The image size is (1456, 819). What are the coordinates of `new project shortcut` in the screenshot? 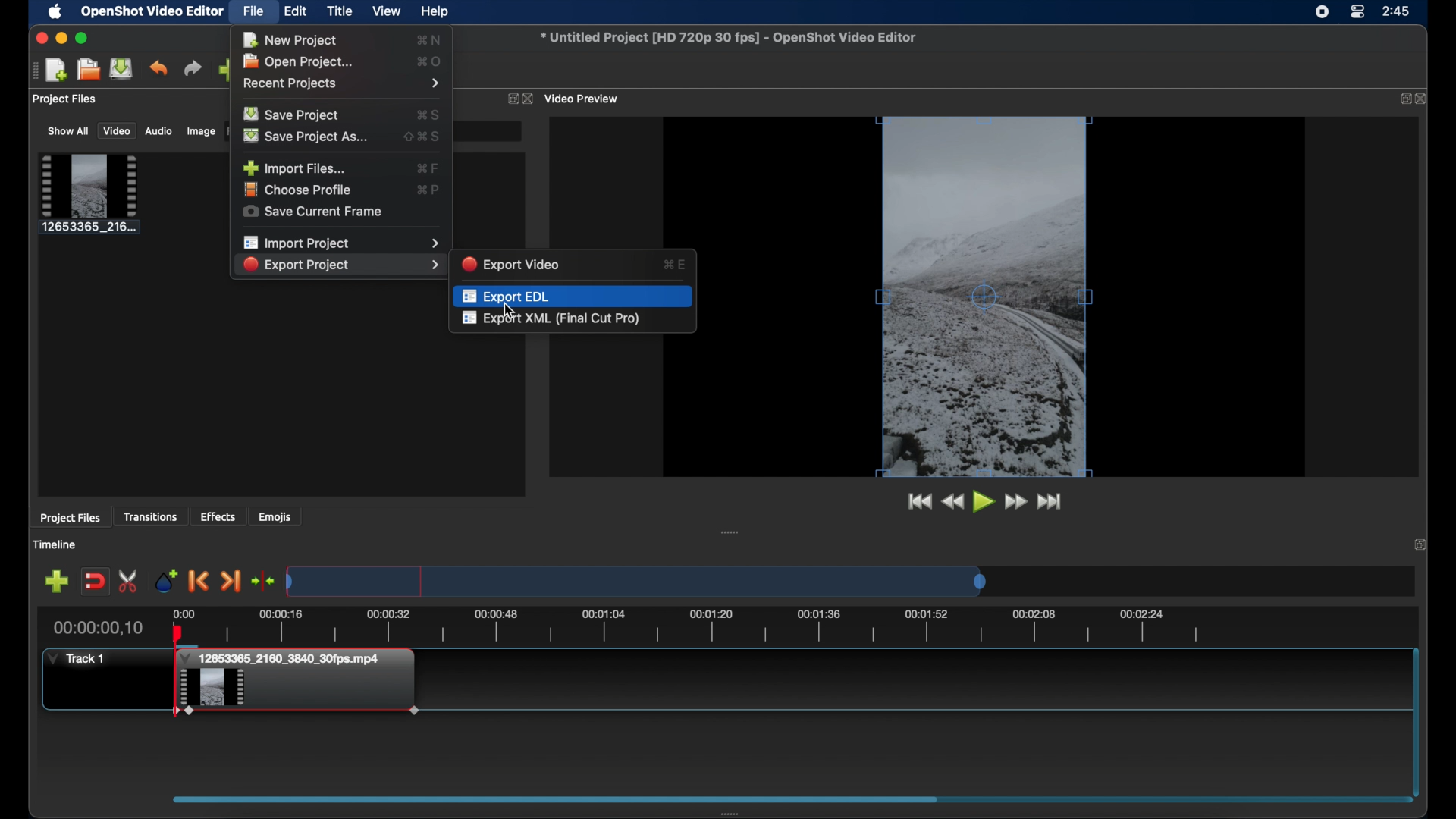 It's located at (431, 39).